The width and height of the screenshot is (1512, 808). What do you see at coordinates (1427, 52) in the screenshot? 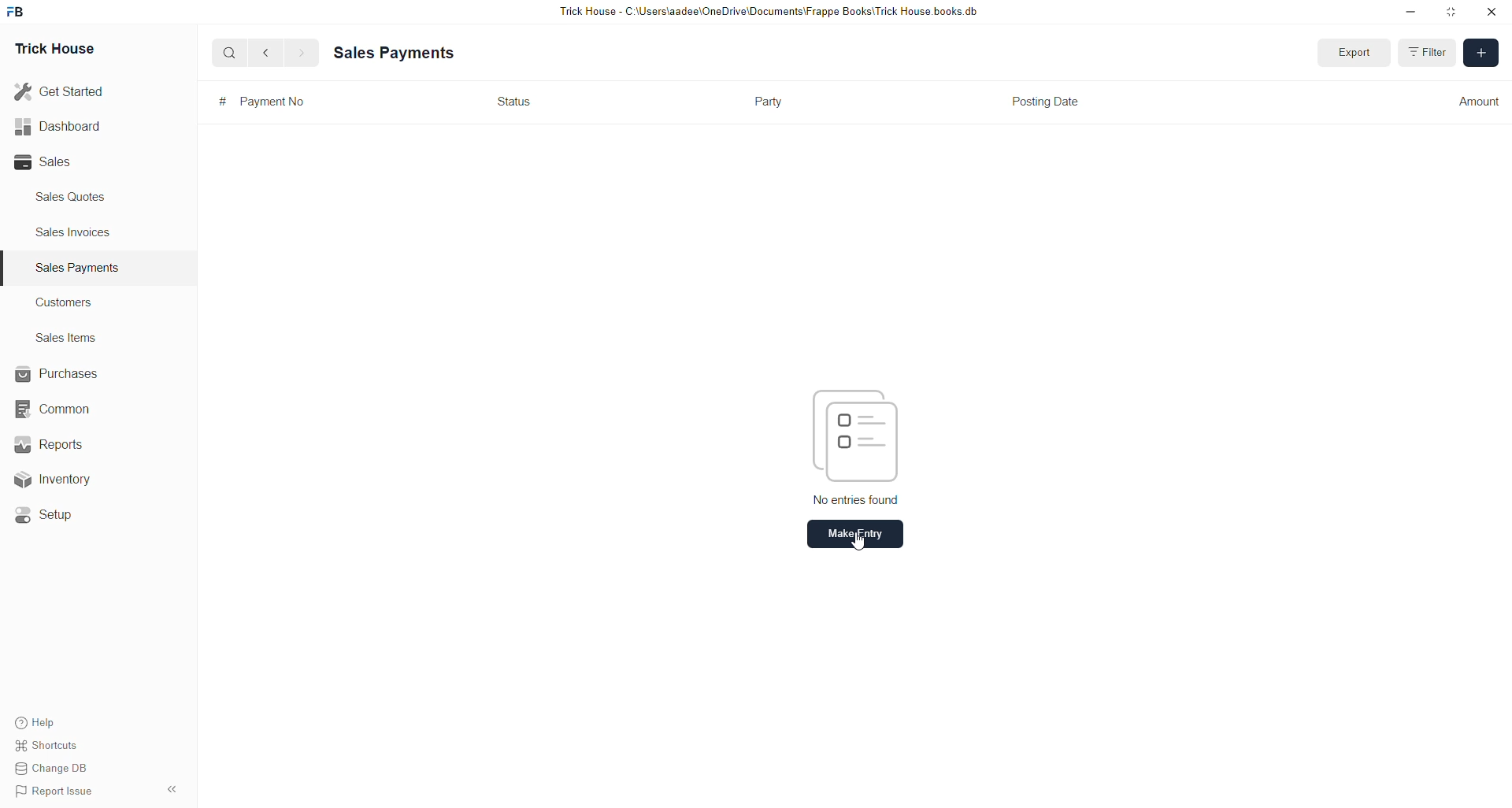
I see `Filter` at bounding box center [1427, 52].